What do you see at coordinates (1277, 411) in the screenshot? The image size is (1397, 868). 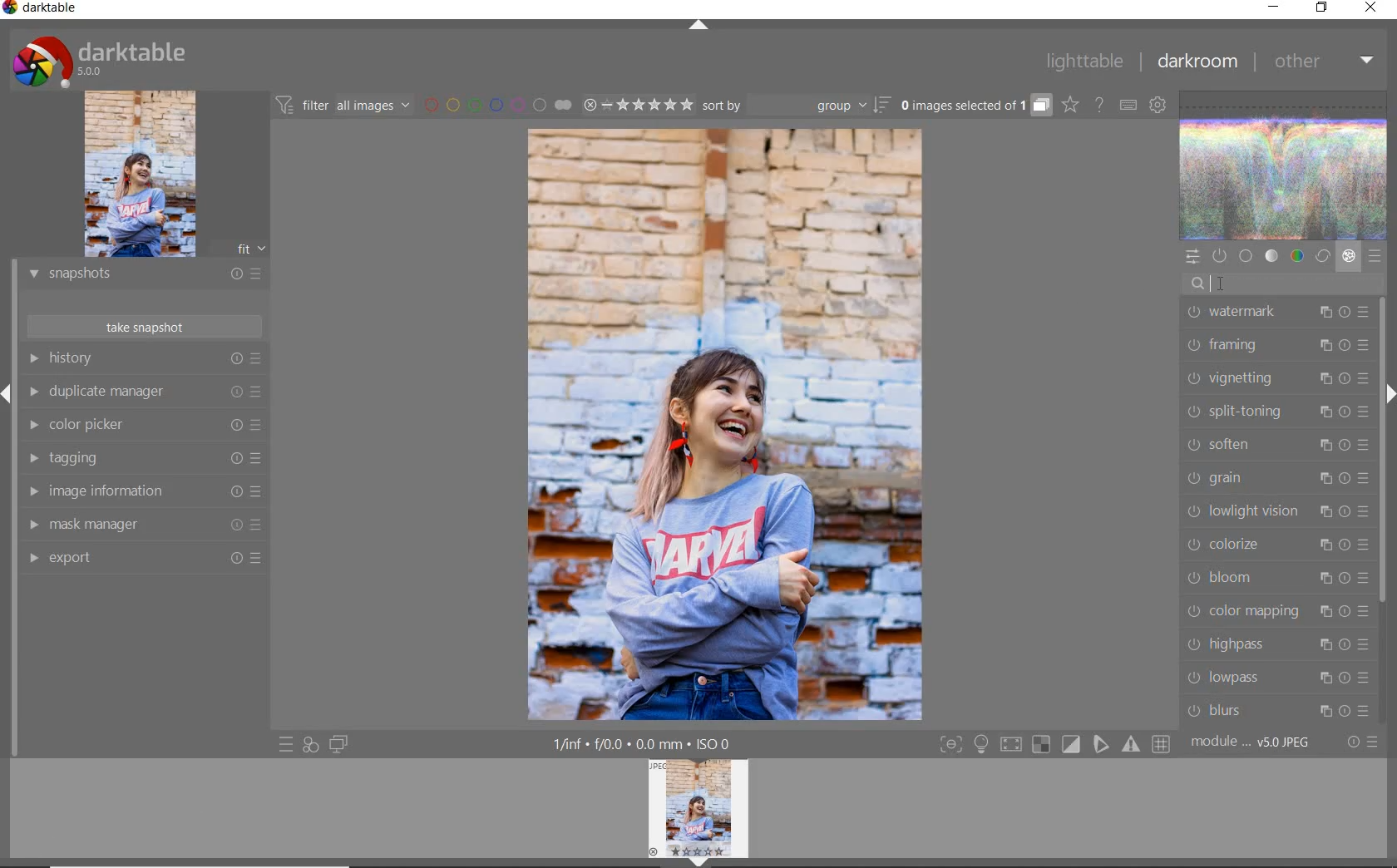 I see `split-toning` at bounding box center [1277, 411].